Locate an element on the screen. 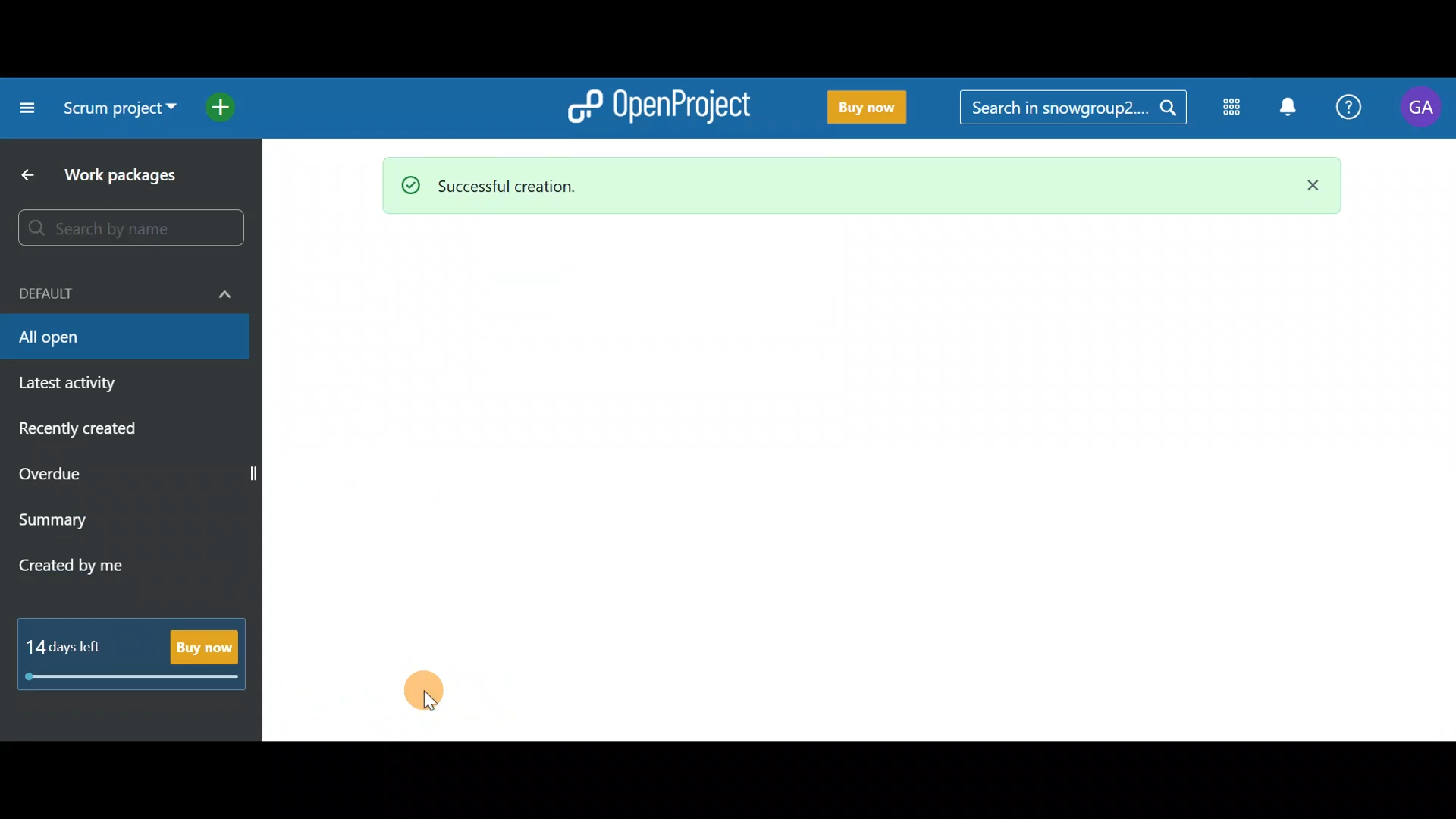  Overdue is located at coordinates (109, 475).